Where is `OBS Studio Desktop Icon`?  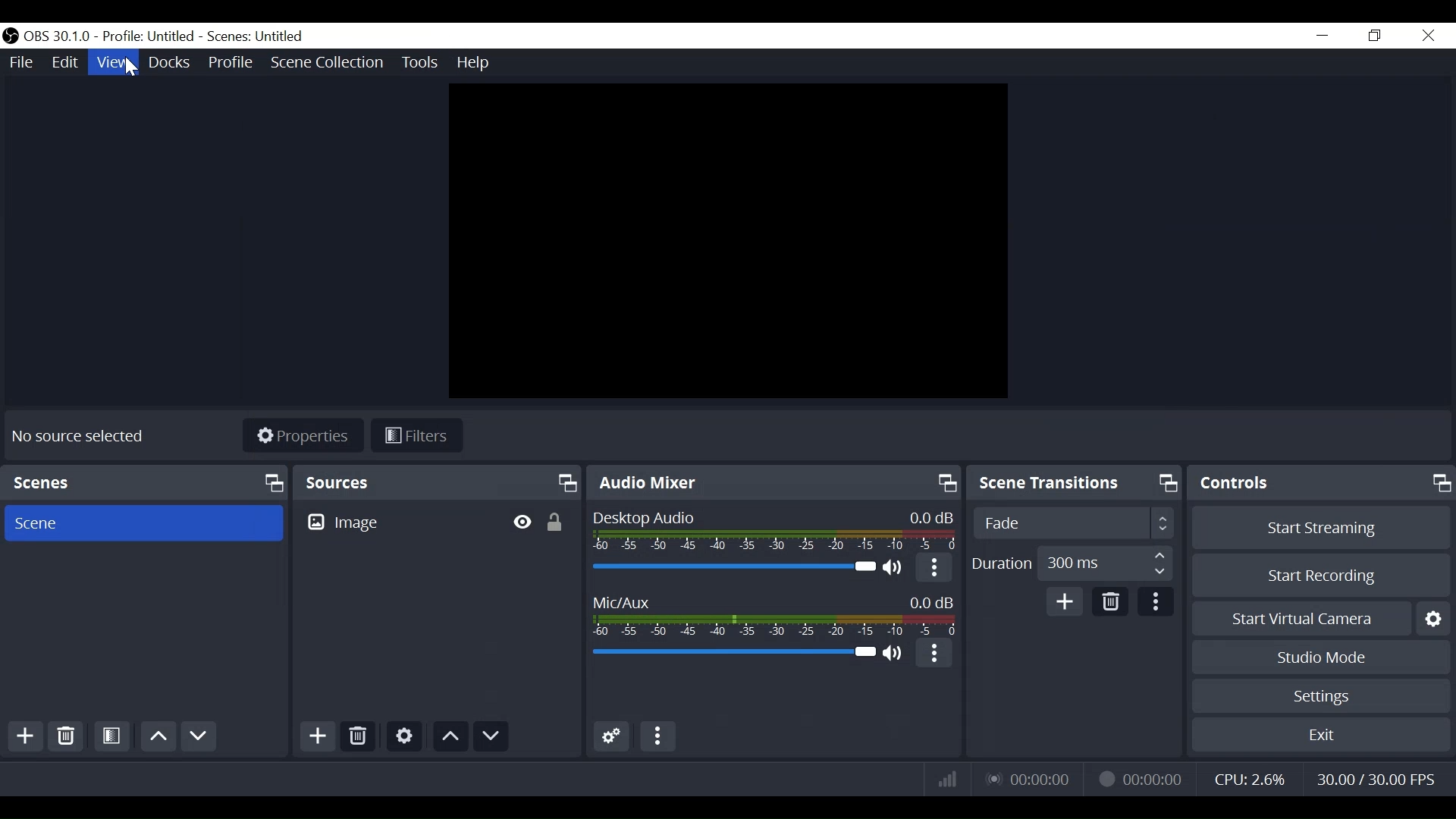
OBS Studio Desktop Icon is located at coordinates (12, 36).